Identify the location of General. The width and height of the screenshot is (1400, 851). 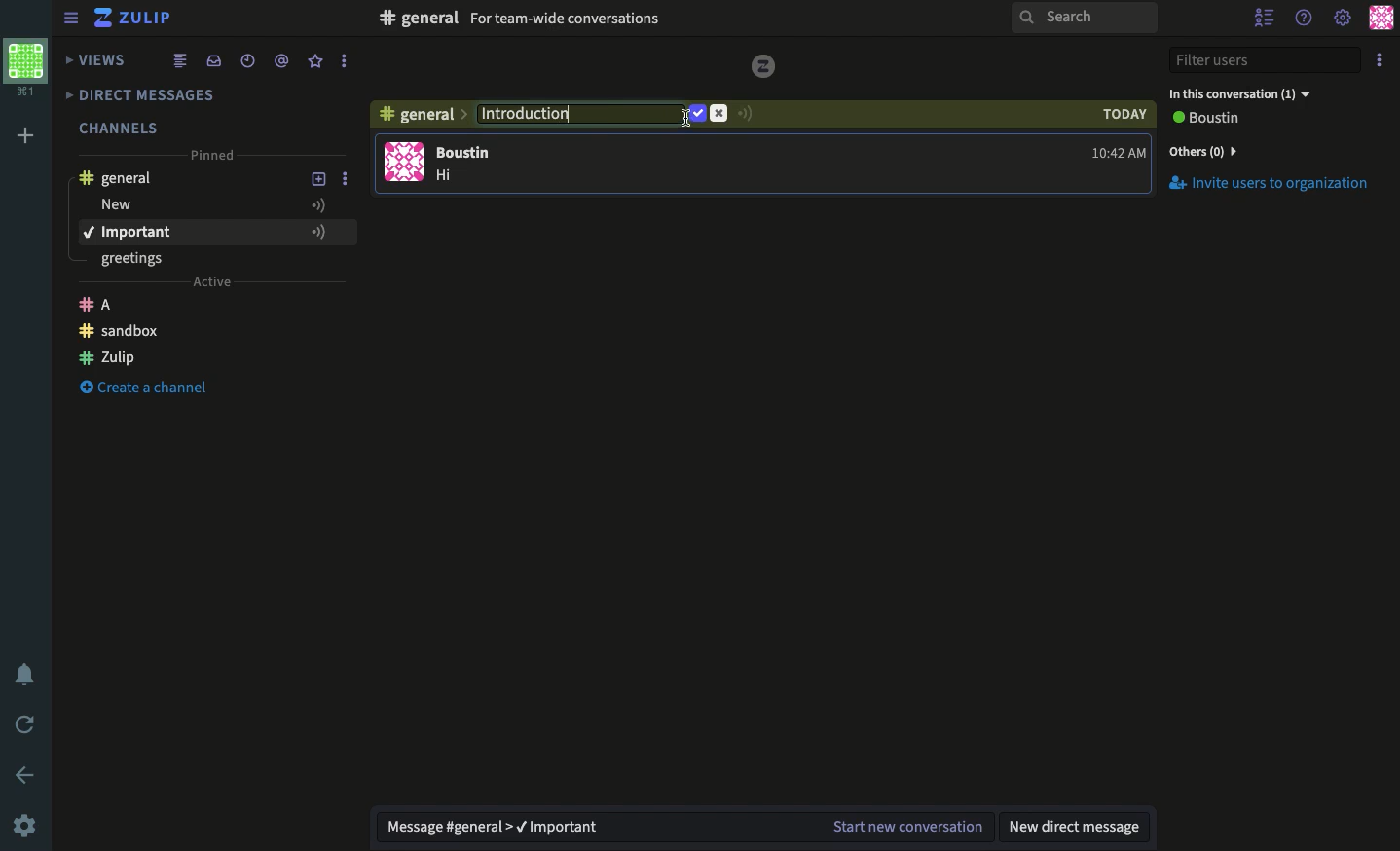
(125, 177).